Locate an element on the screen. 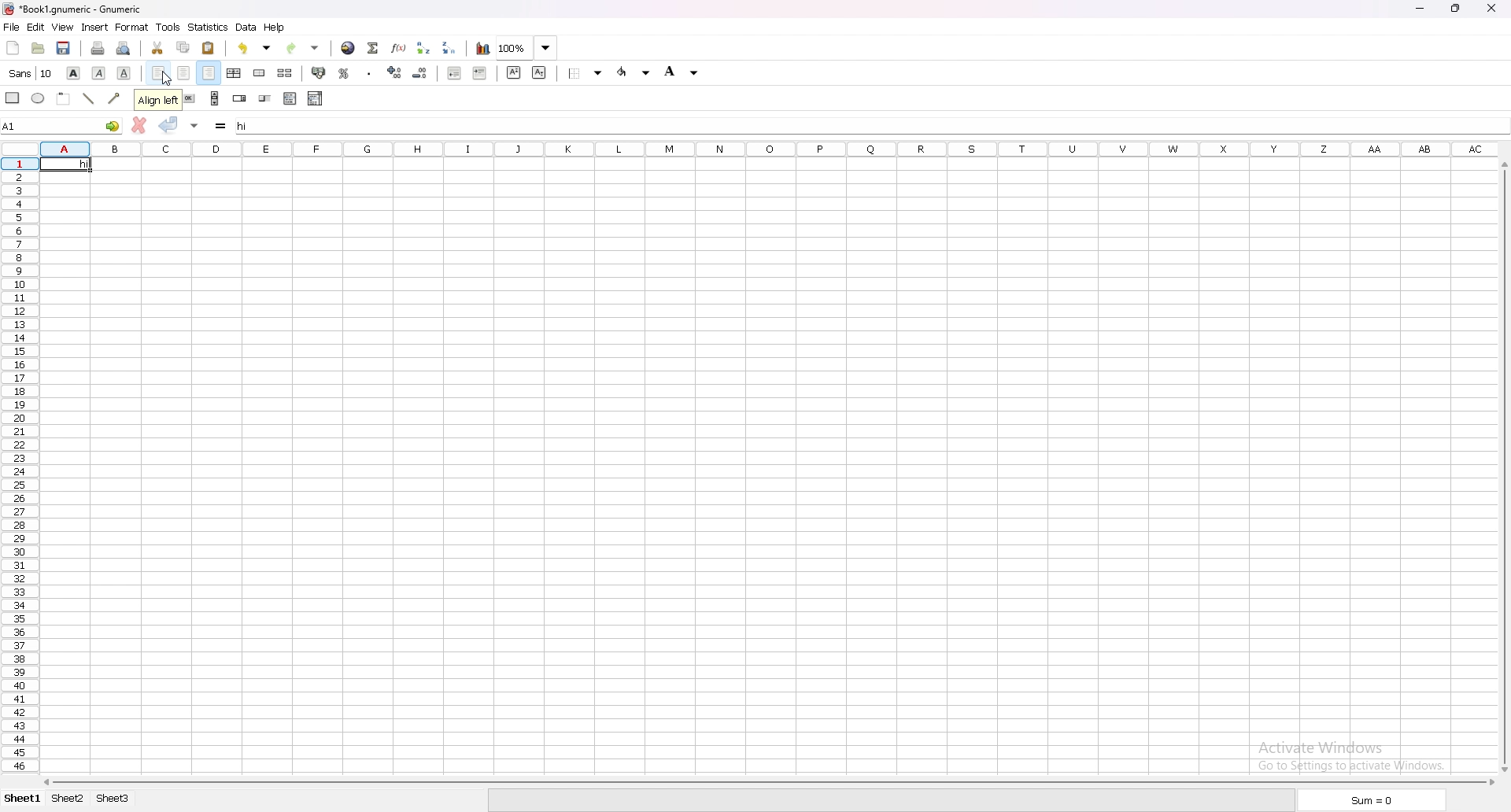 This screenshot has height=812, width=1511. cancel changes is located at coordinates (139, 125).